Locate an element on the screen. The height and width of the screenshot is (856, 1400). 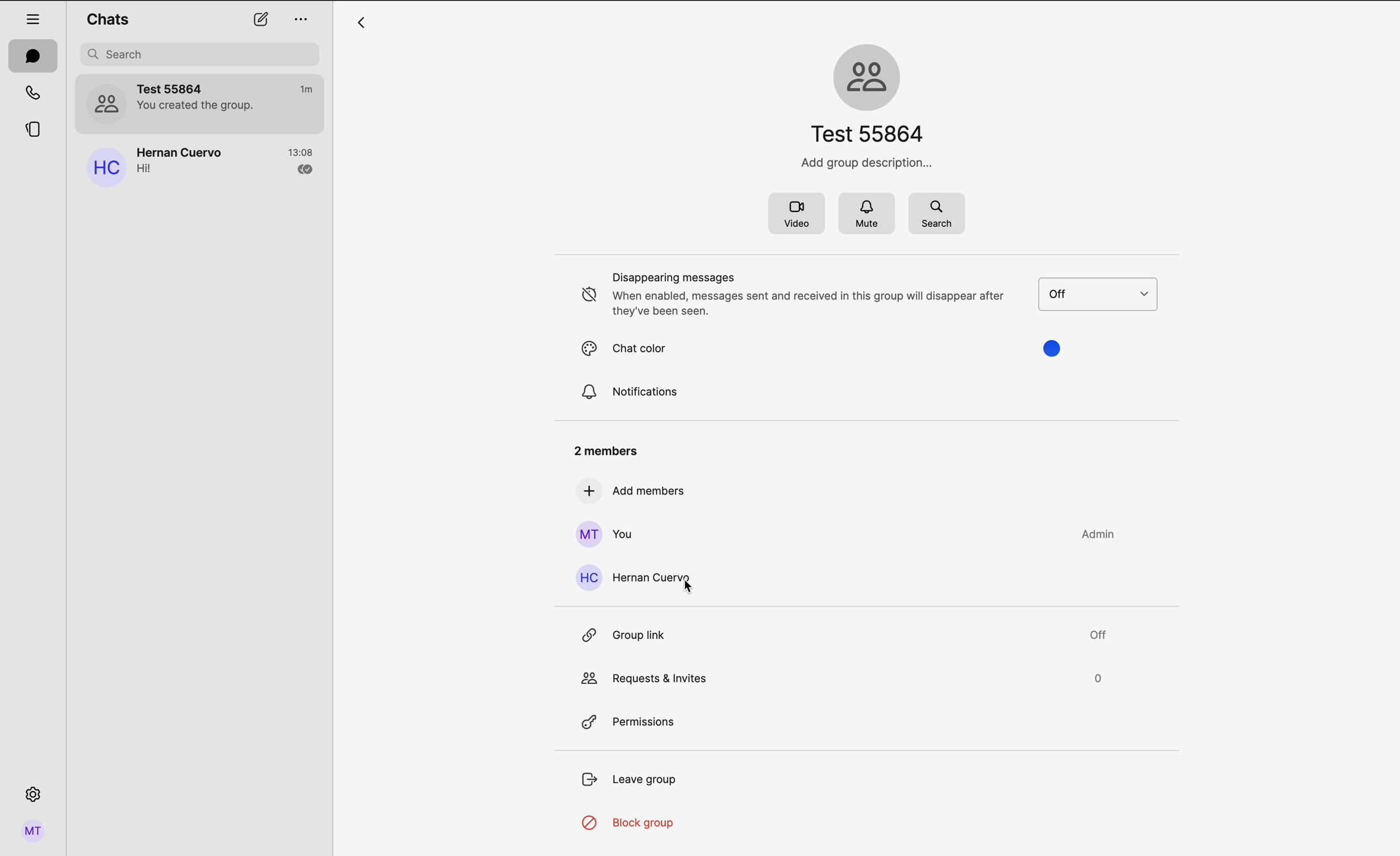
leave group is located at coordinates (632, 782).